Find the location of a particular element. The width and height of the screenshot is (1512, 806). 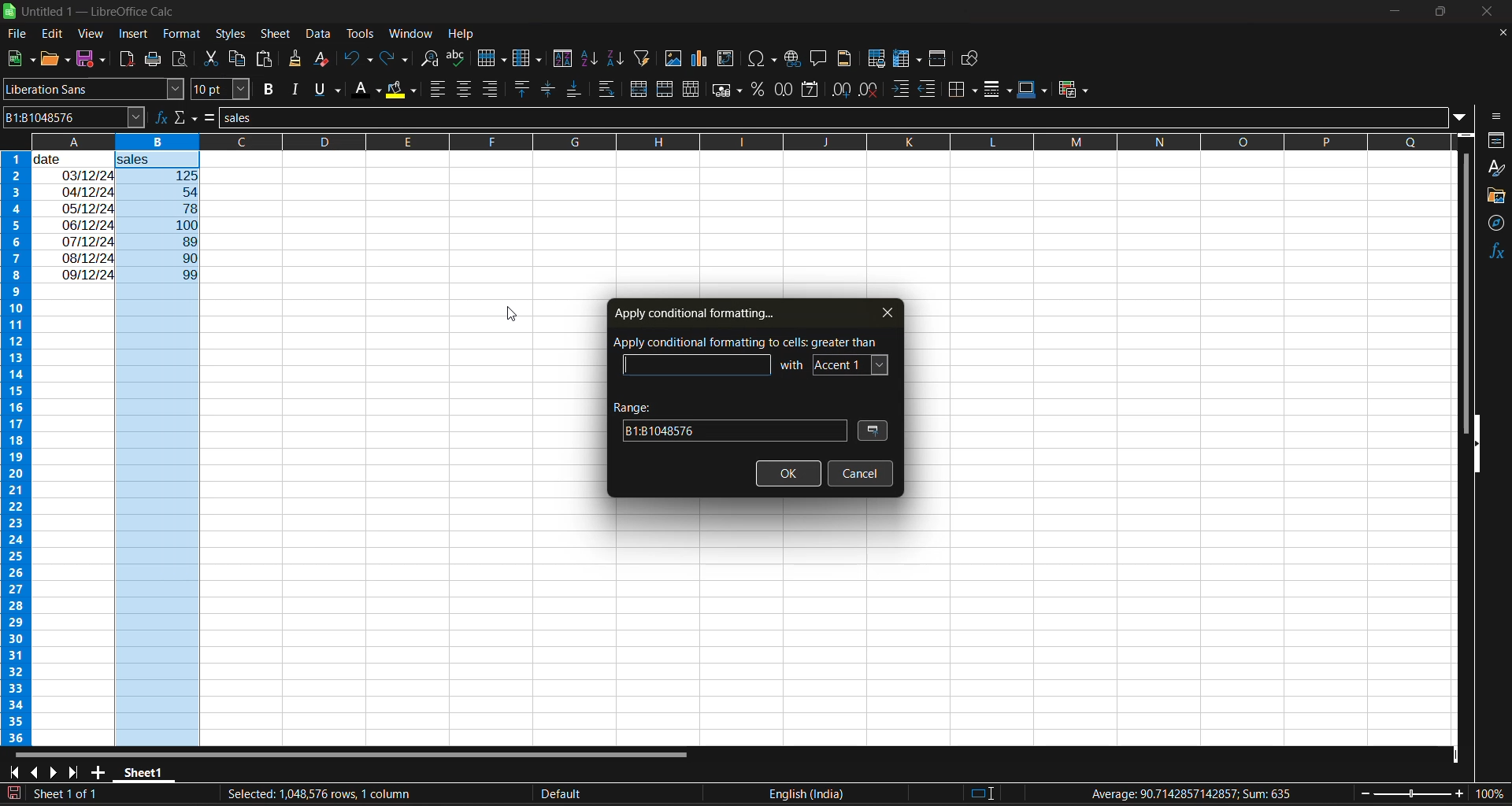

scroll to next sheet is located at coordinates (54, 771).